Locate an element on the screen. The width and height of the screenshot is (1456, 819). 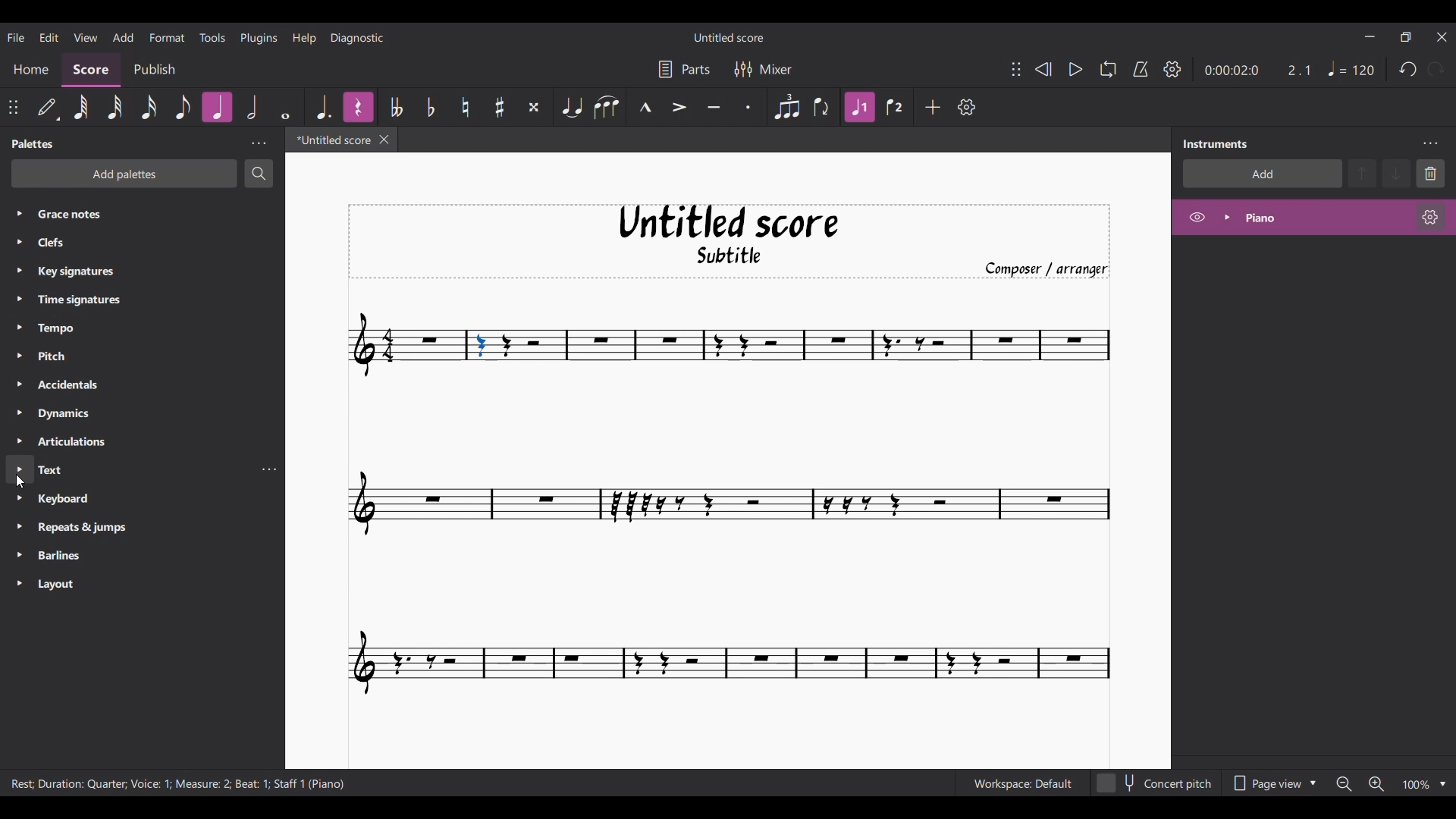
Customize toolbar is located at coordinates (966, 107).